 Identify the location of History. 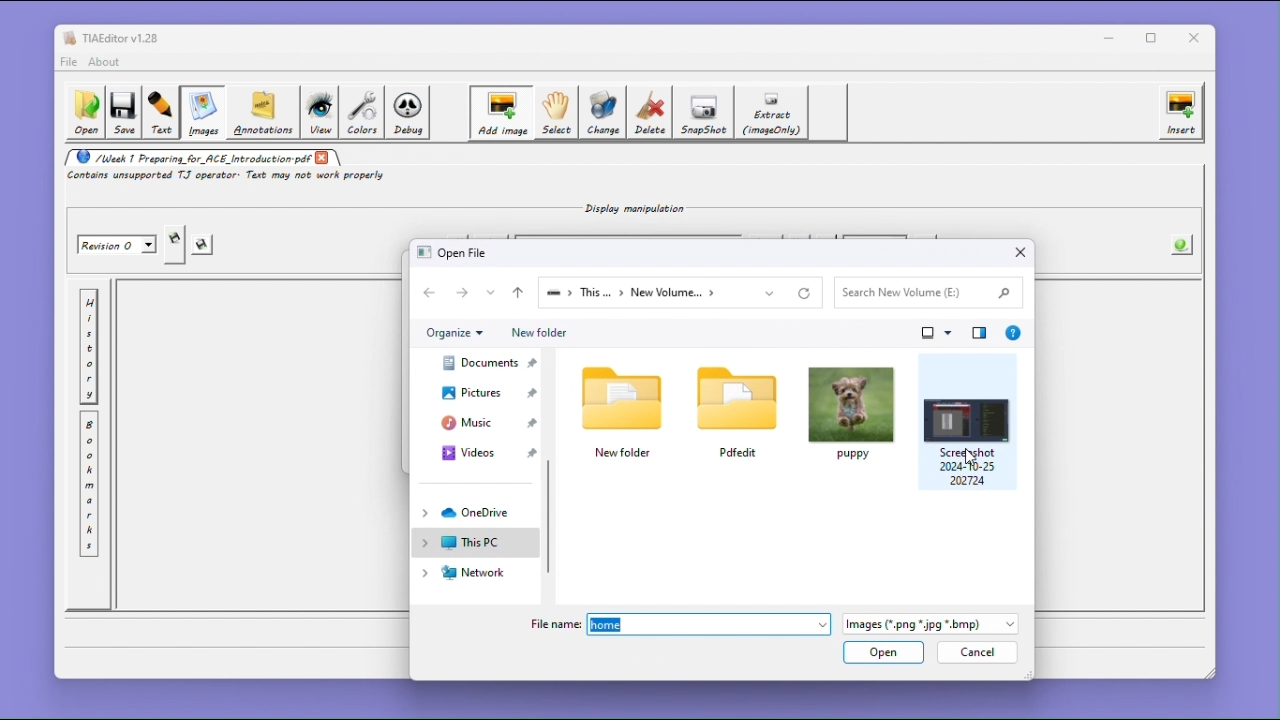
(89, 347).